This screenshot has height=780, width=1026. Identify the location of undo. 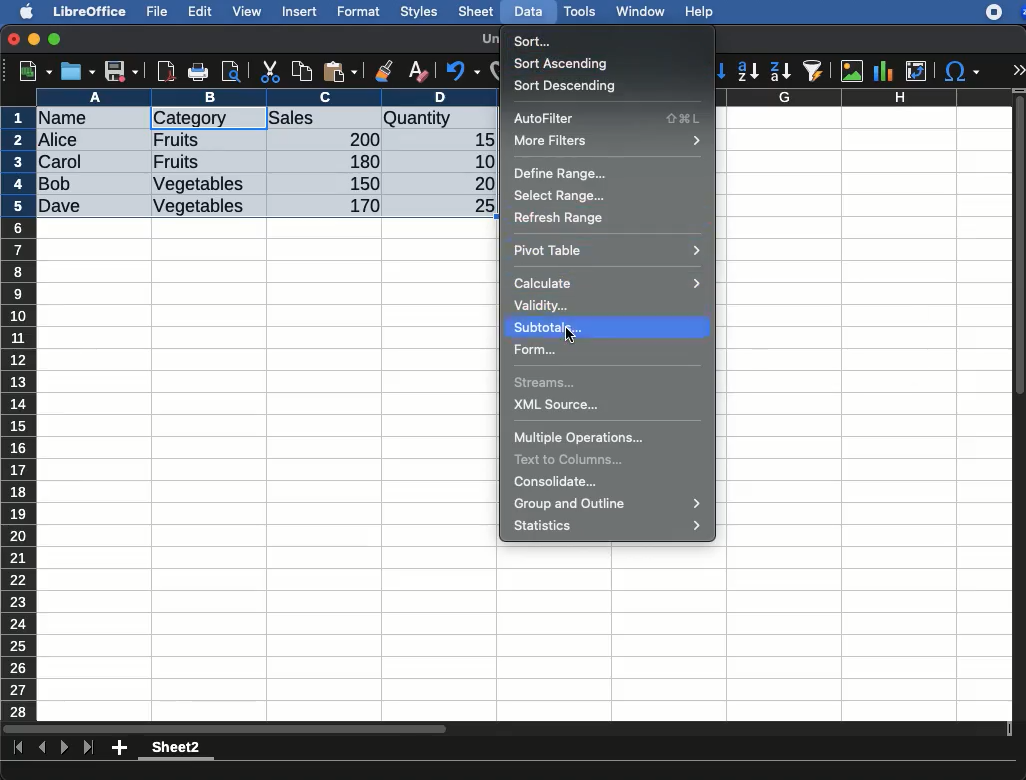
(463, 71).